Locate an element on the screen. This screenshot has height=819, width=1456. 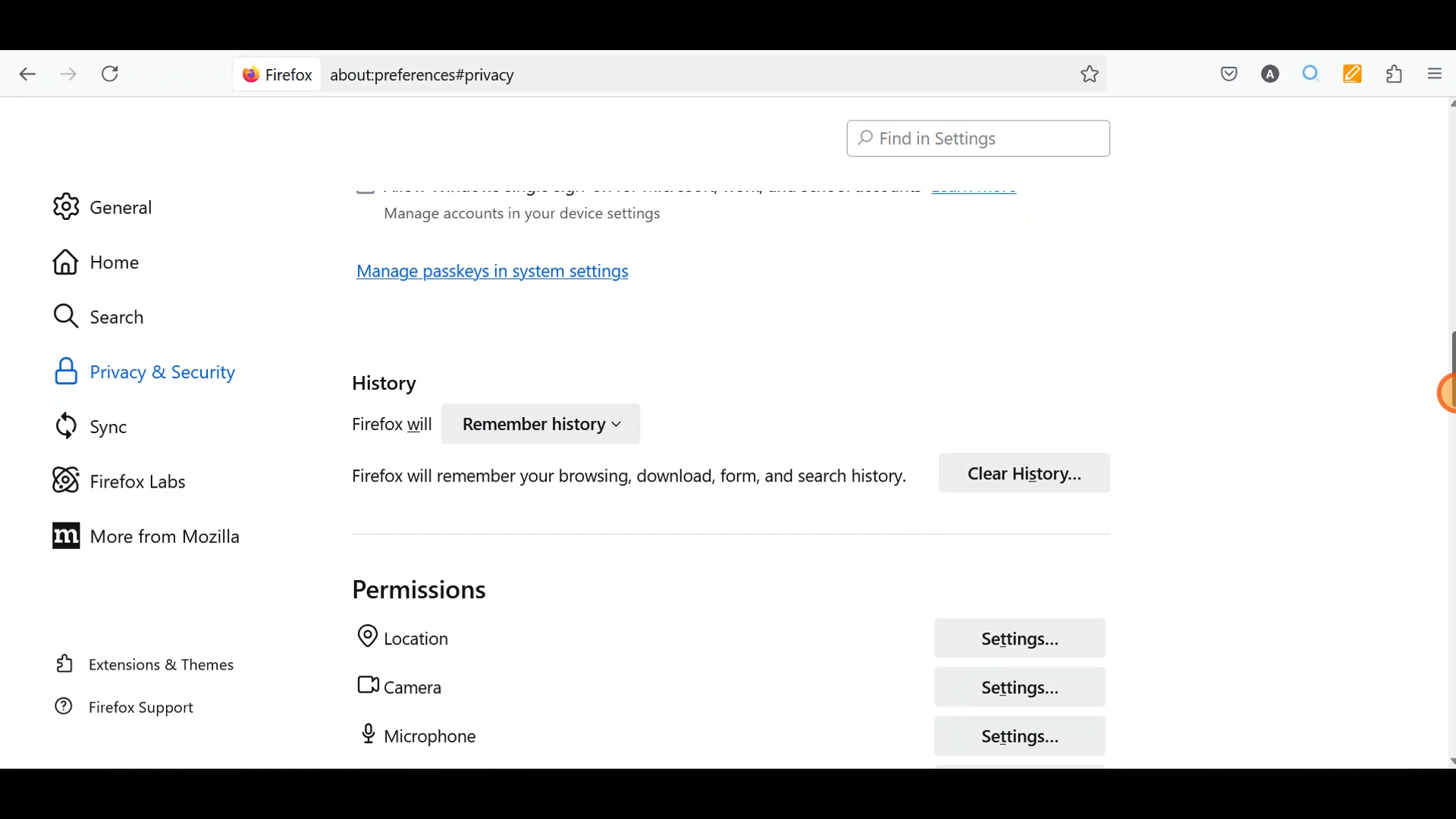
Search bar is located at coordinates (675, 72).